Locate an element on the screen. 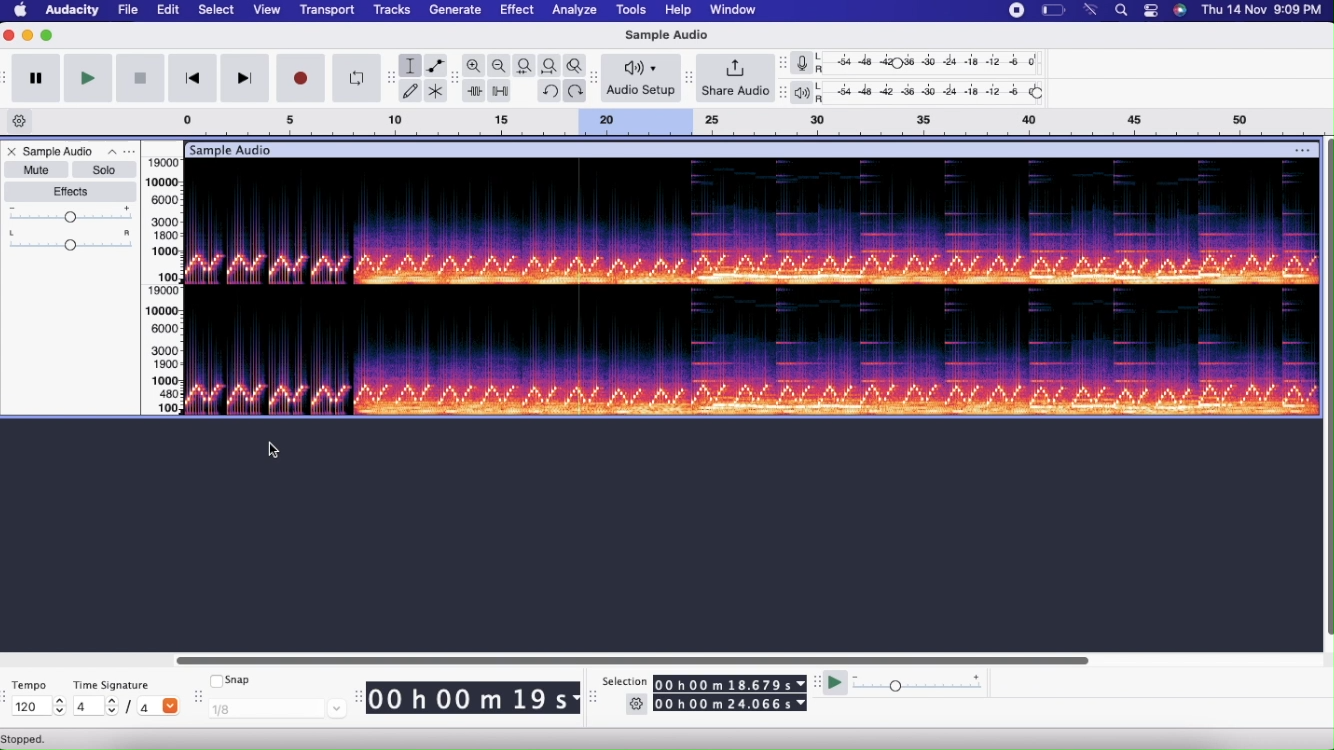  Stop is located at coordinates (140, 78).